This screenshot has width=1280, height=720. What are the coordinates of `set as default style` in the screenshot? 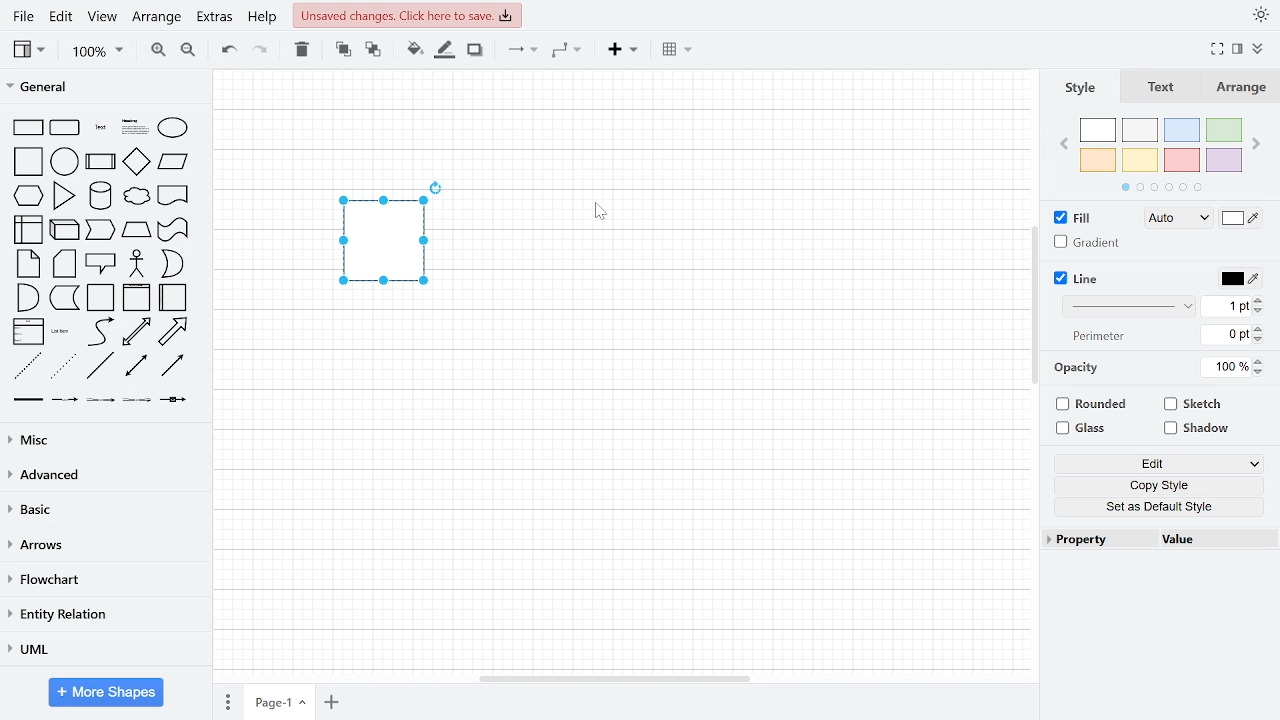 It's located at (1162, 507).